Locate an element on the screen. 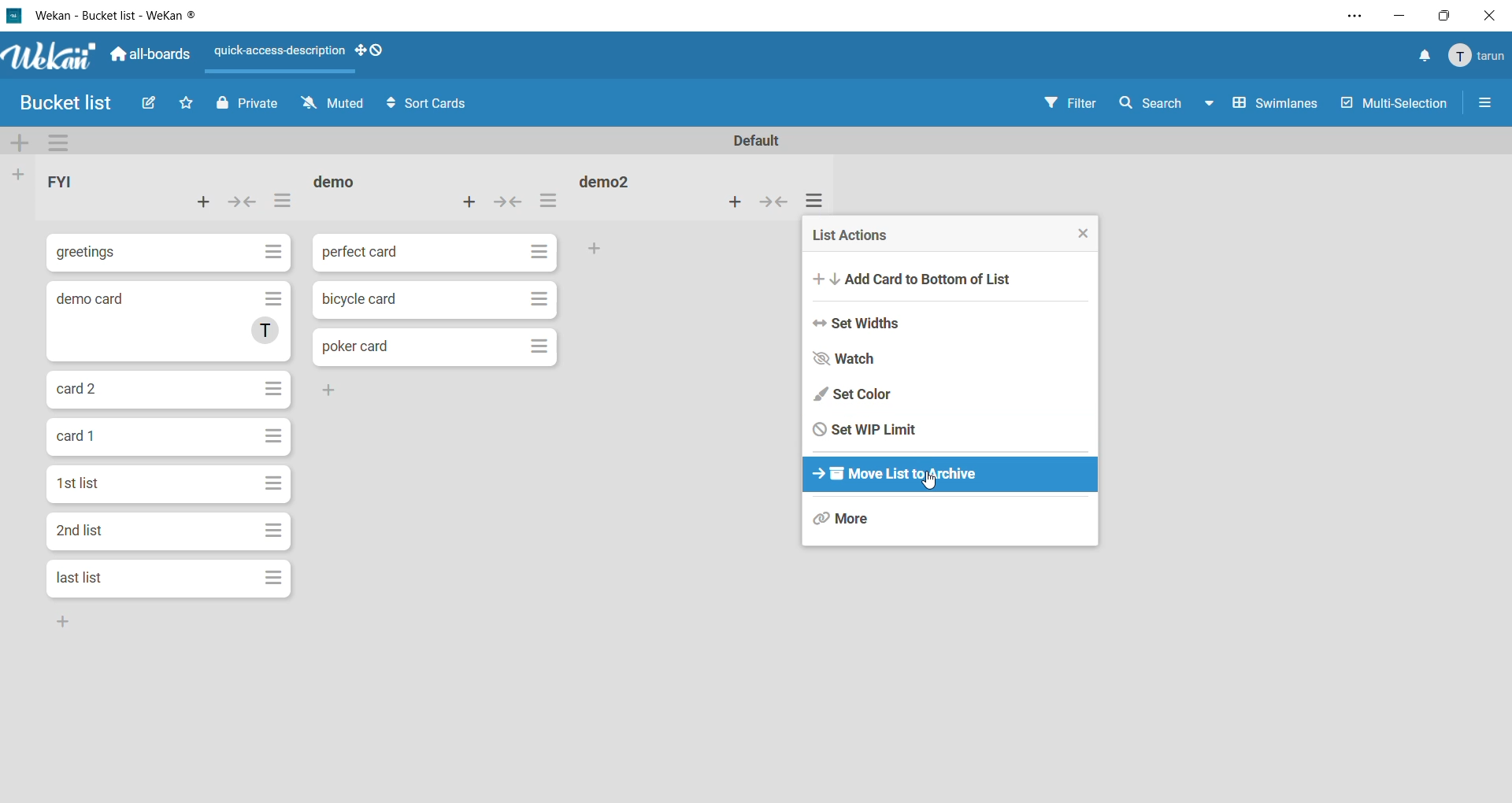  swimlane actions is located at coordinates (61, 142).